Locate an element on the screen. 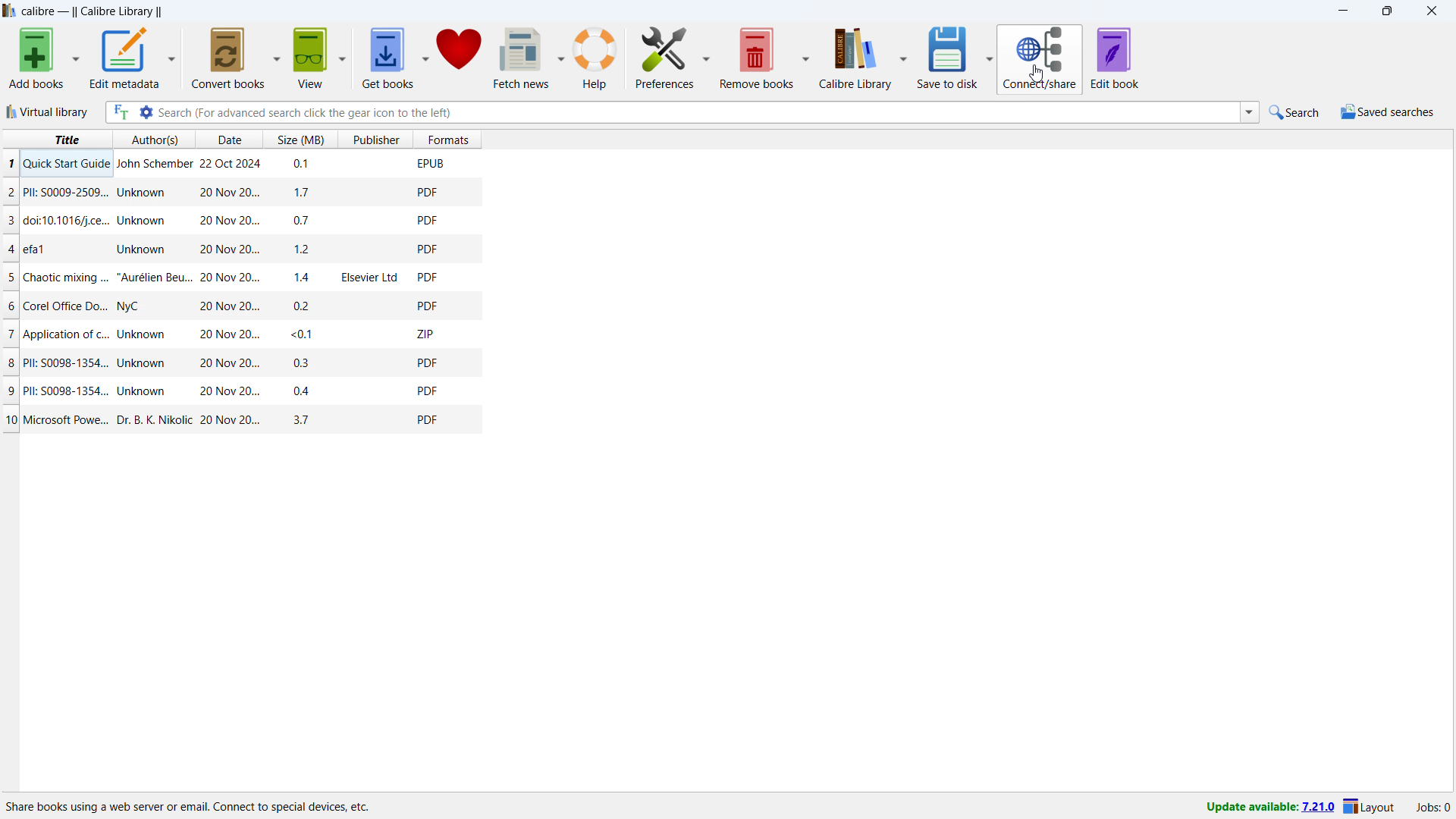  one book entry is located at coordinates (235, 165).